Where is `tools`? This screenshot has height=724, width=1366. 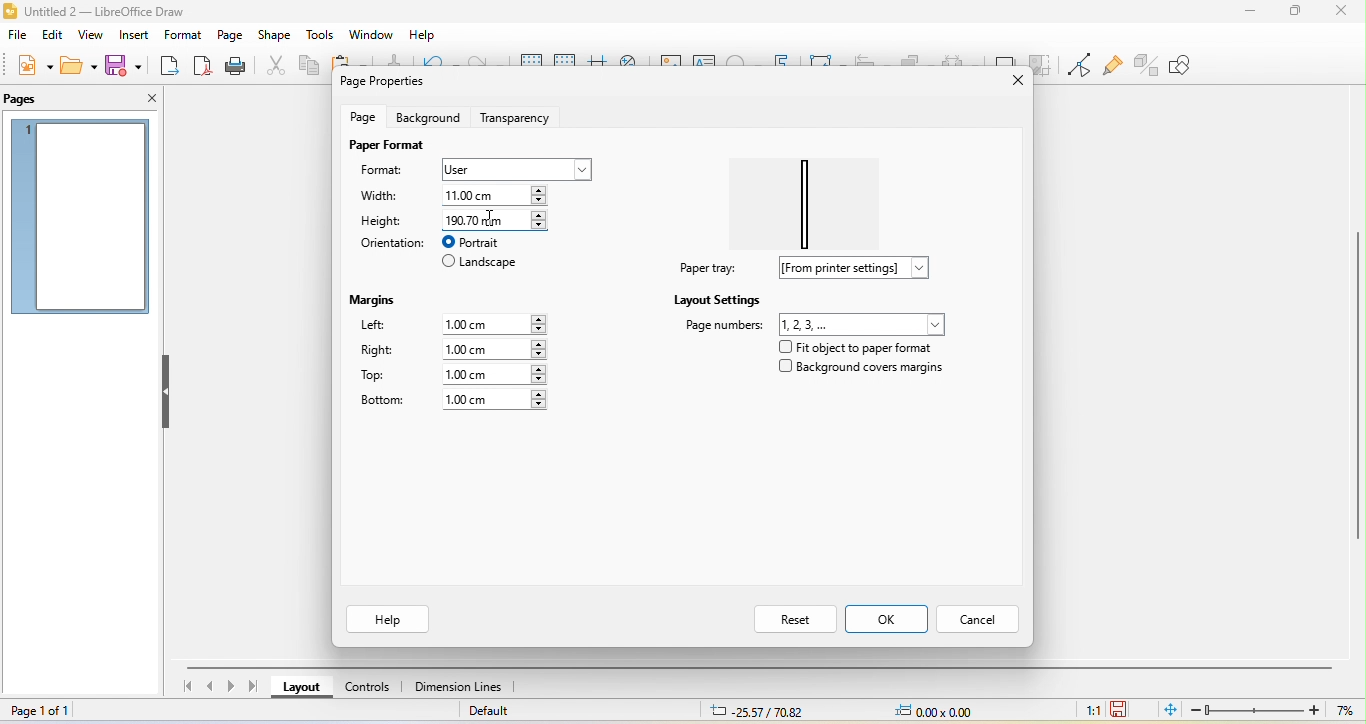 tools is located at coordinates (321, 36).